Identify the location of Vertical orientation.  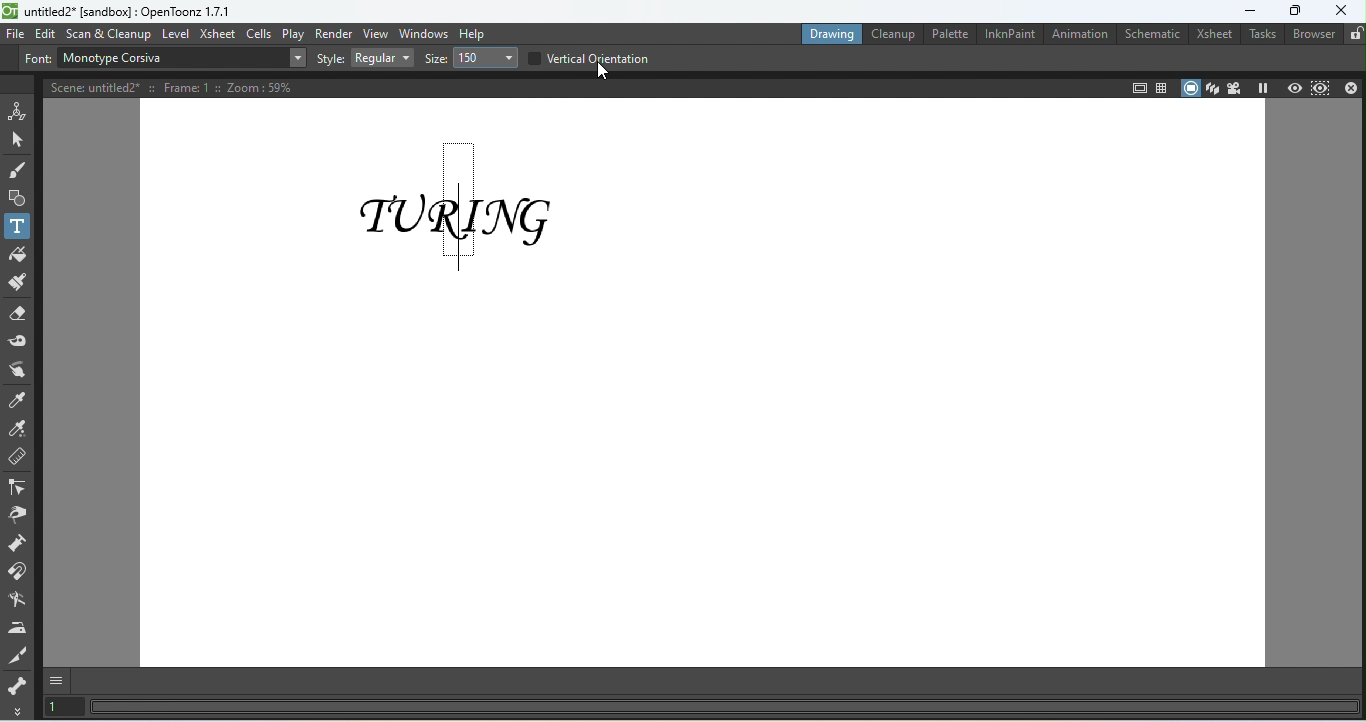
(588, 57).